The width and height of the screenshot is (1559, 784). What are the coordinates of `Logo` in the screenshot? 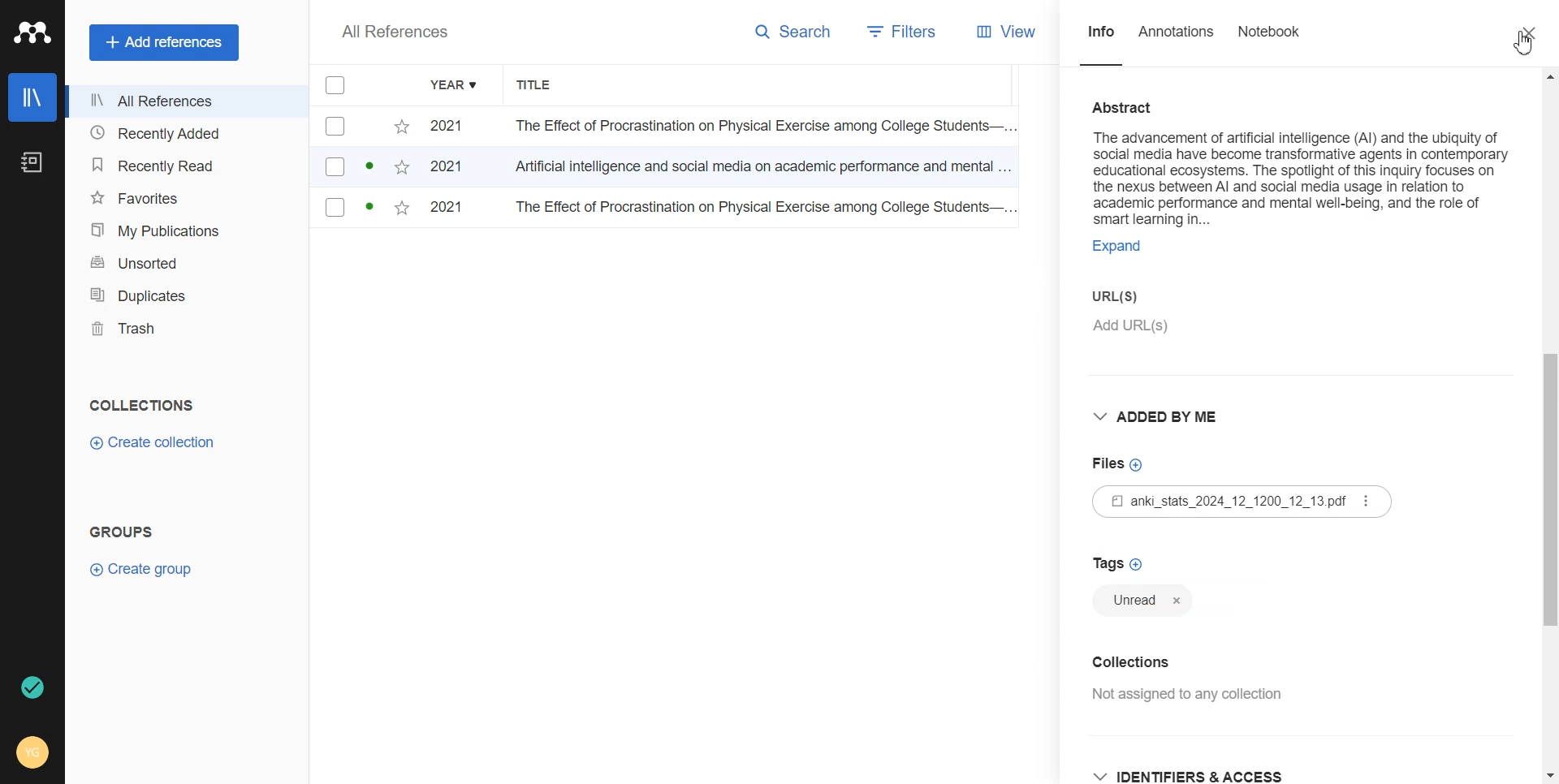 It's located at (32, 33).